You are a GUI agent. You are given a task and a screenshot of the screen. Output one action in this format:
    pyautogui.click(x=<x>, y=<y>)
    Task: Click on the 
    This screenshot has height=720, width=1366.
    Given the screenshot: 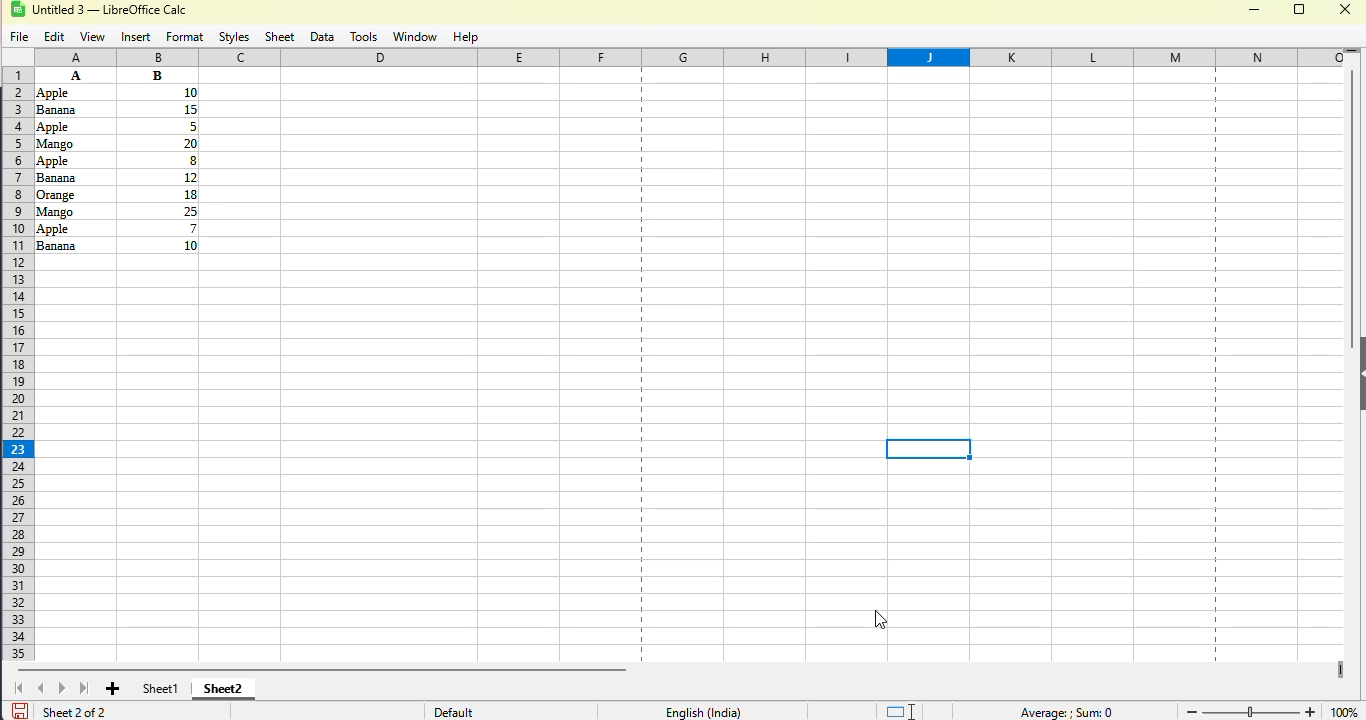 What is the action you would take?
    pyautogui.click(x=159, y=193)
    